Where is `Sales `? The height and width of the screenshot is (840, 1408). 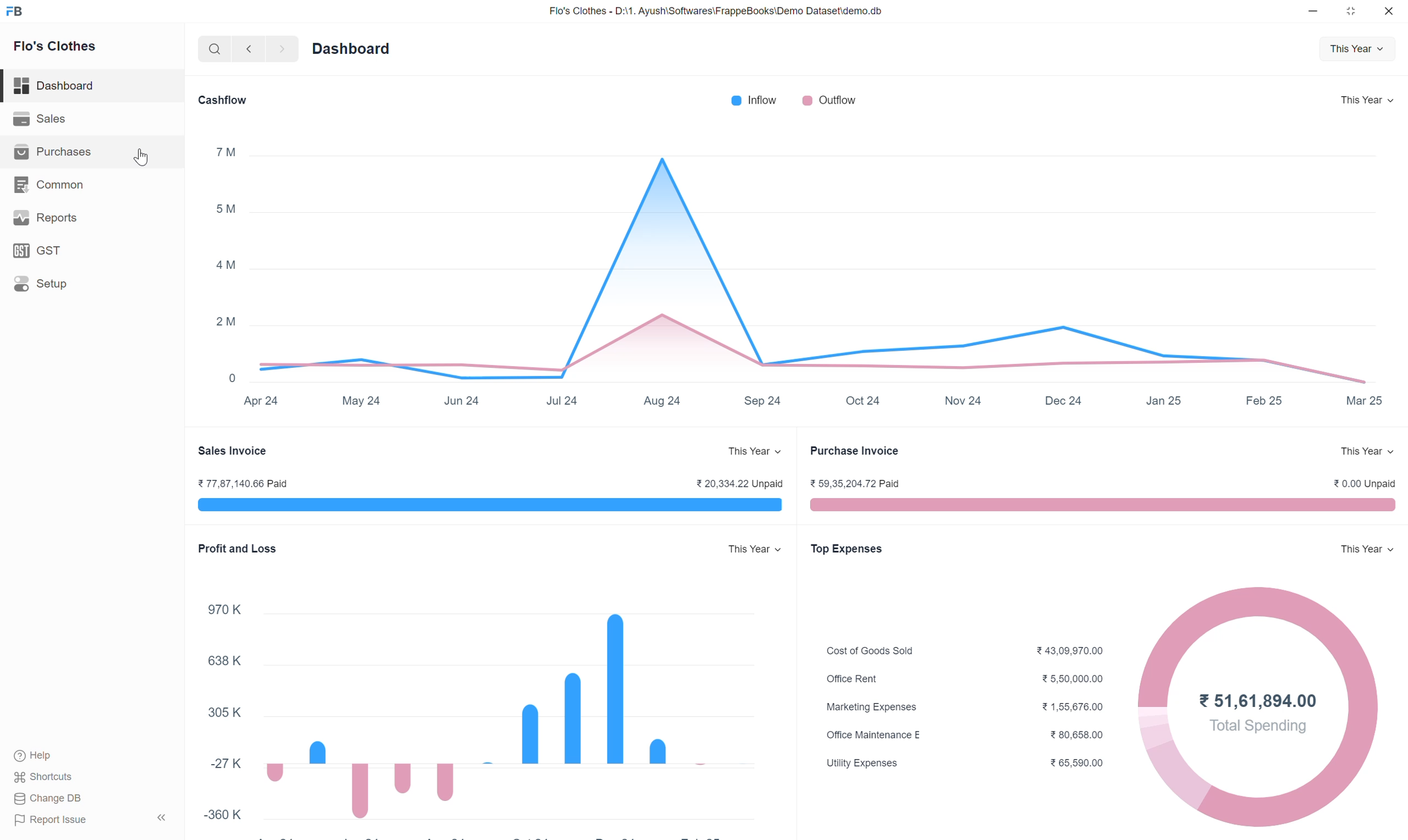 Sales  is located at coordinates (41, 118).